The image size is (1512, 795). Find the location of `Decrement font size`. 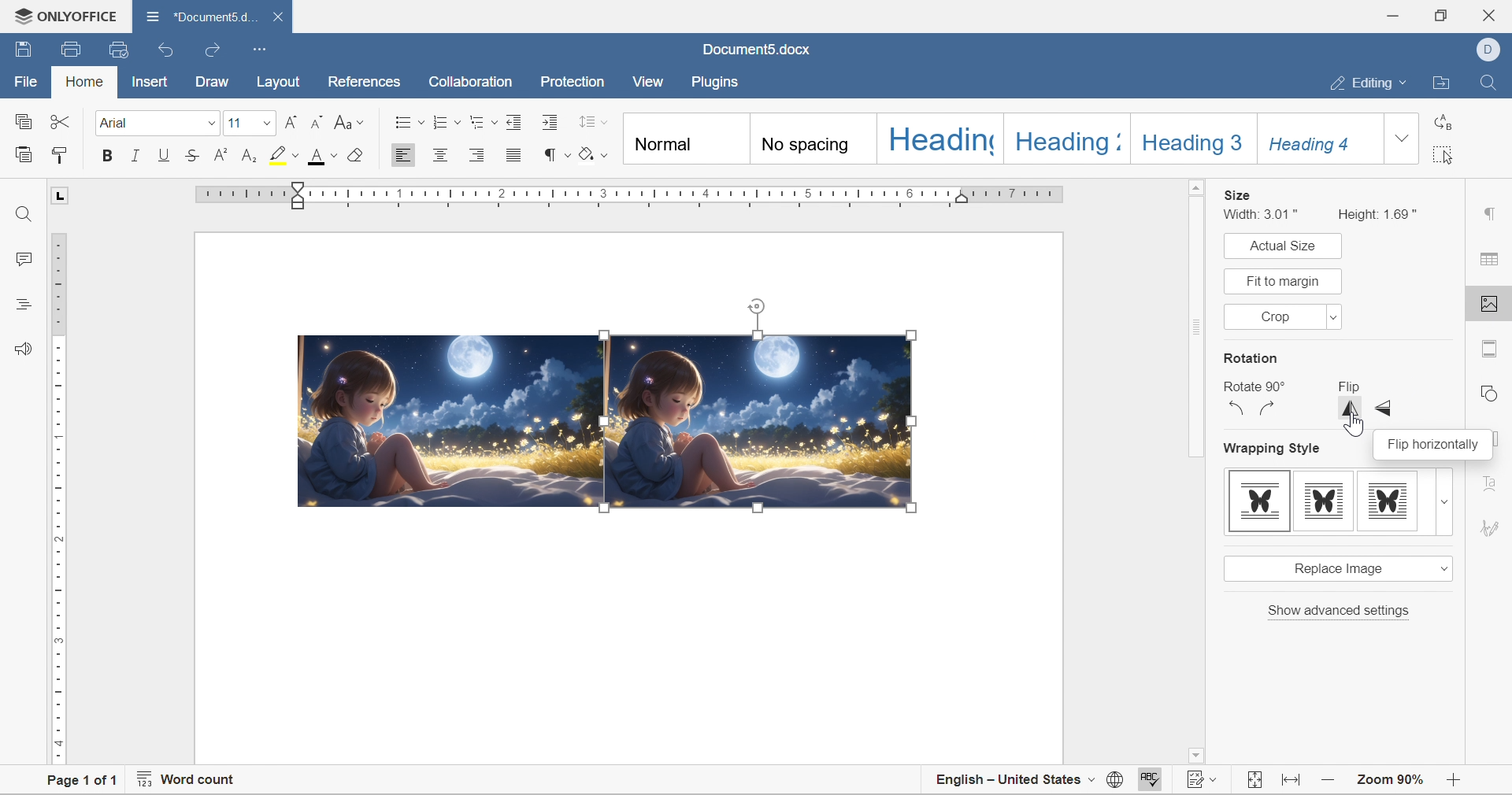

Decrement font size is located at coordinates (317, 121).